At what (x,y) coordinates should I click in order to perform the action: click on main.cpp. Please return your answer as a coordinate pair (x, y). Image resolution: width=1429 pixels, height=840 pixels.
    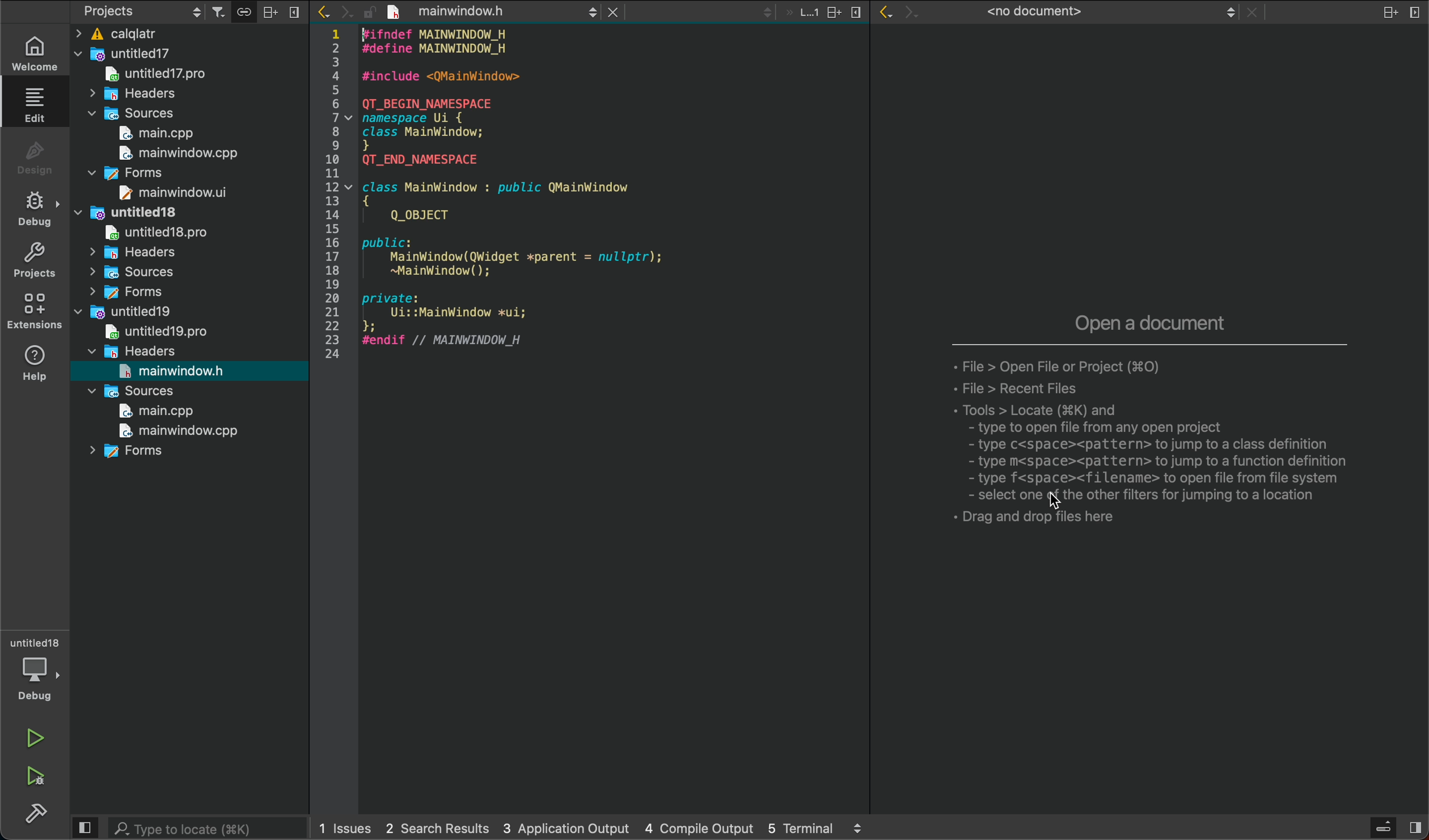
    Looking at the image, I should click on (153, 410).